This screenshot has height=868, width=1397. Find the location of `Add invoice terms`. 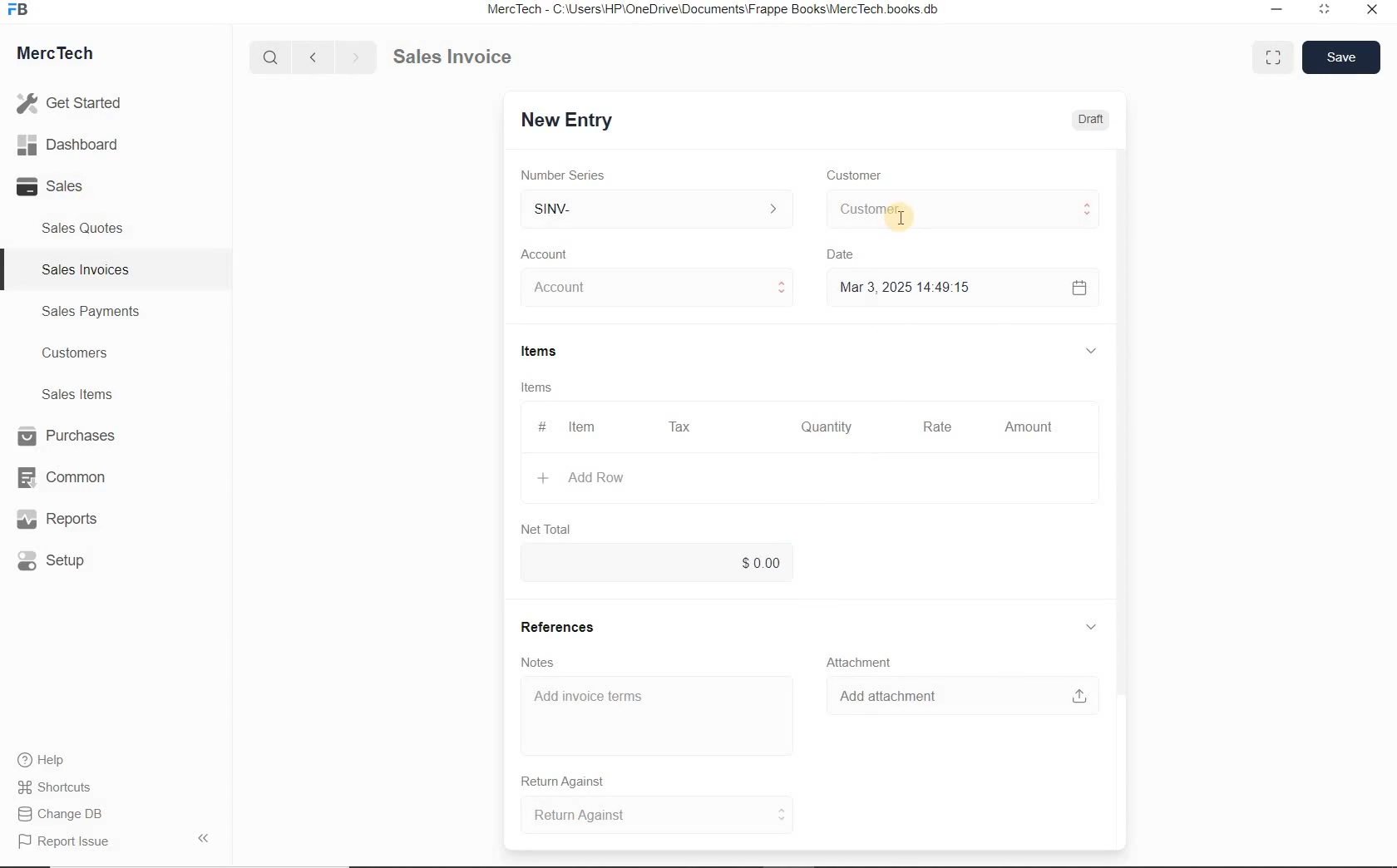

Add invoice terms is located at coordinates (657, 717).